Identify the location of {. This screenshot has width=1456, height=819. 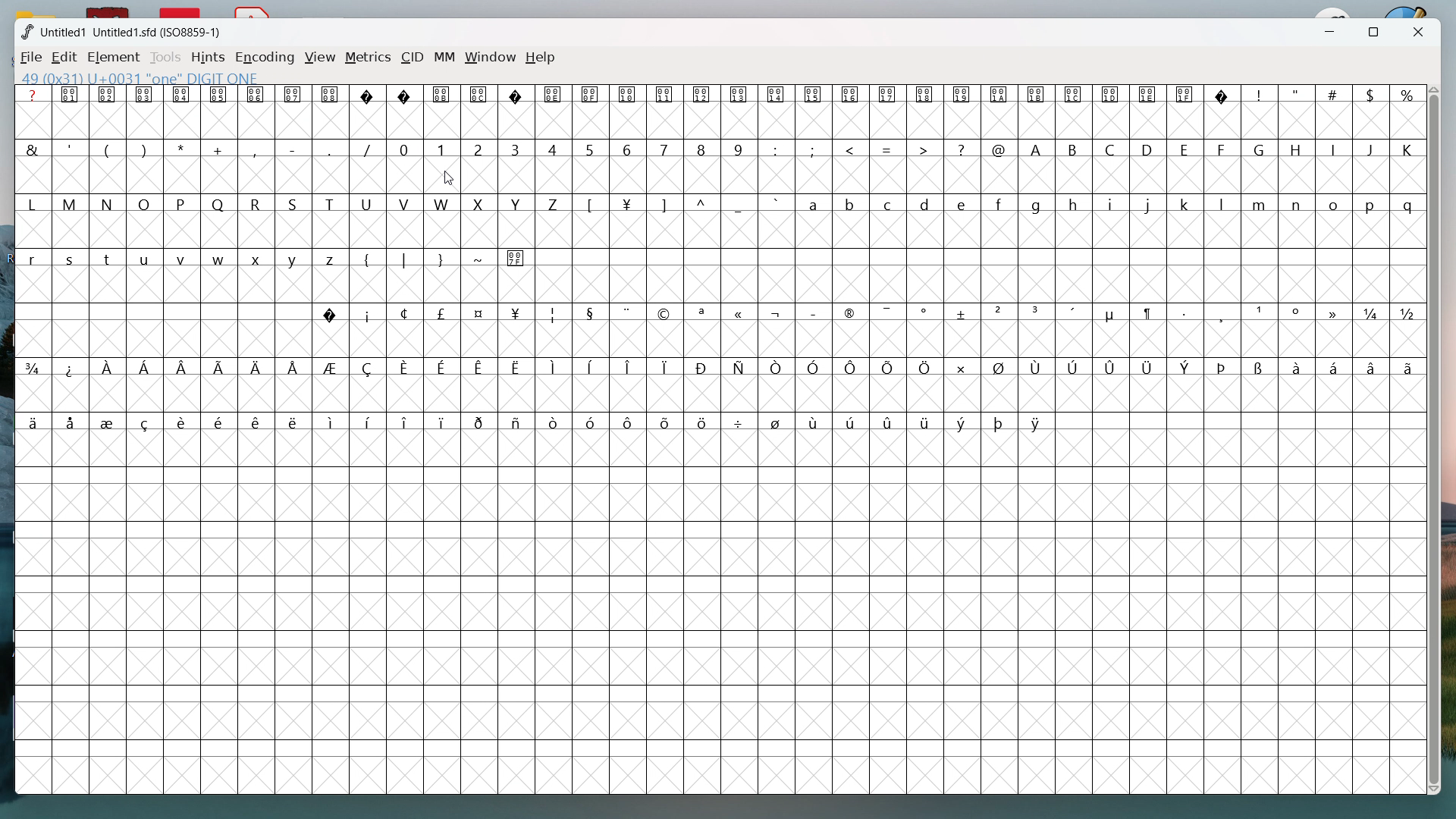
(370, 258).